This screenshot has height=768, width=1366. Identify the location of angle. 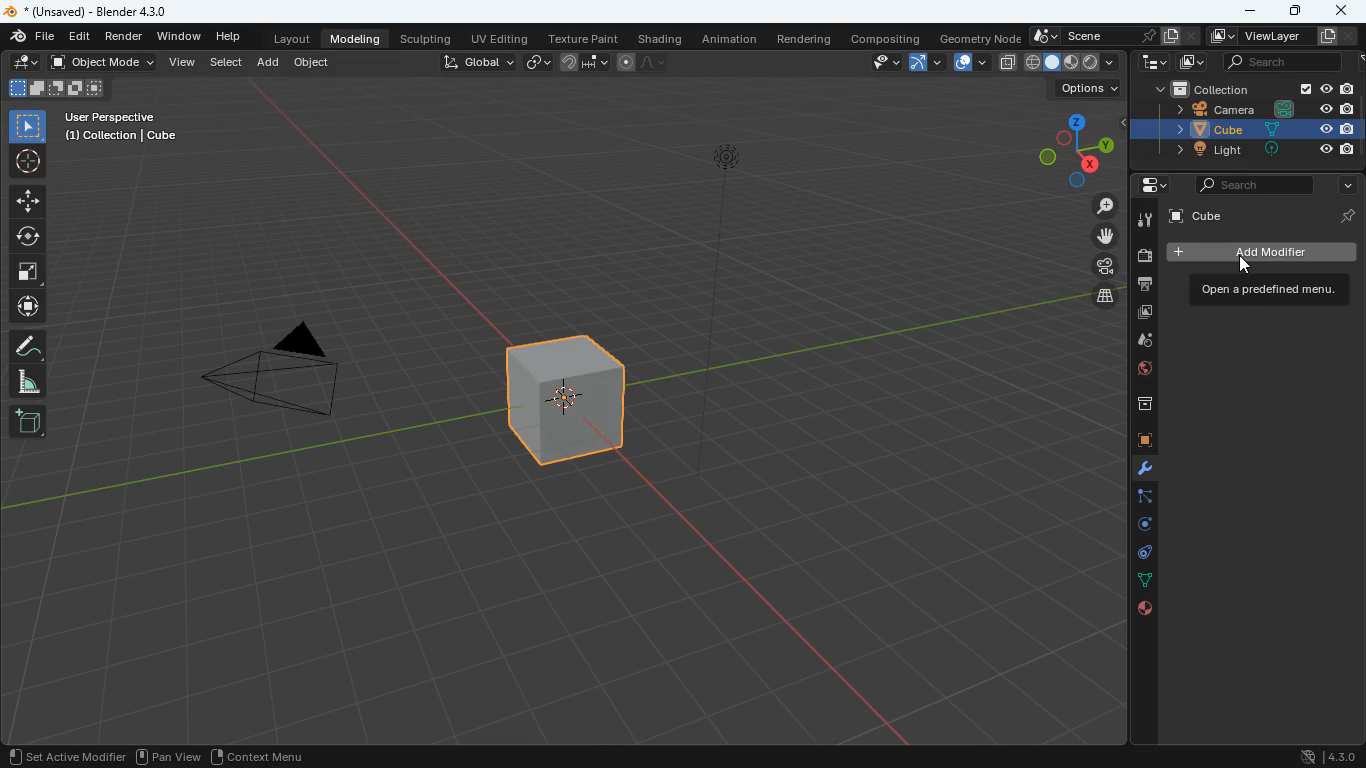
(36, 382).